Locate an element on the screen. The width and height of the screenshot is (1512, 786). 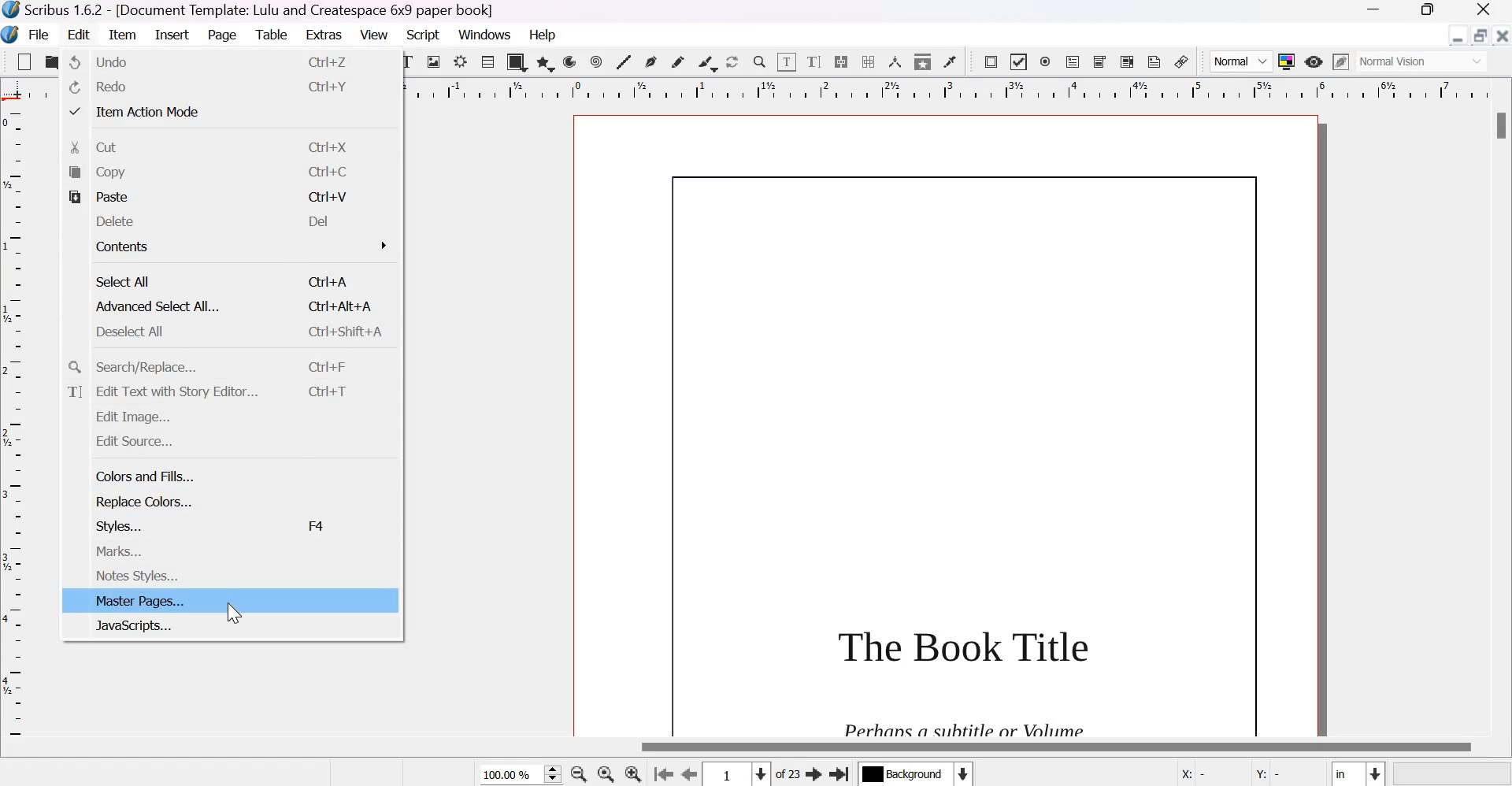
PDF check box is located at coordinates (1017, 61).